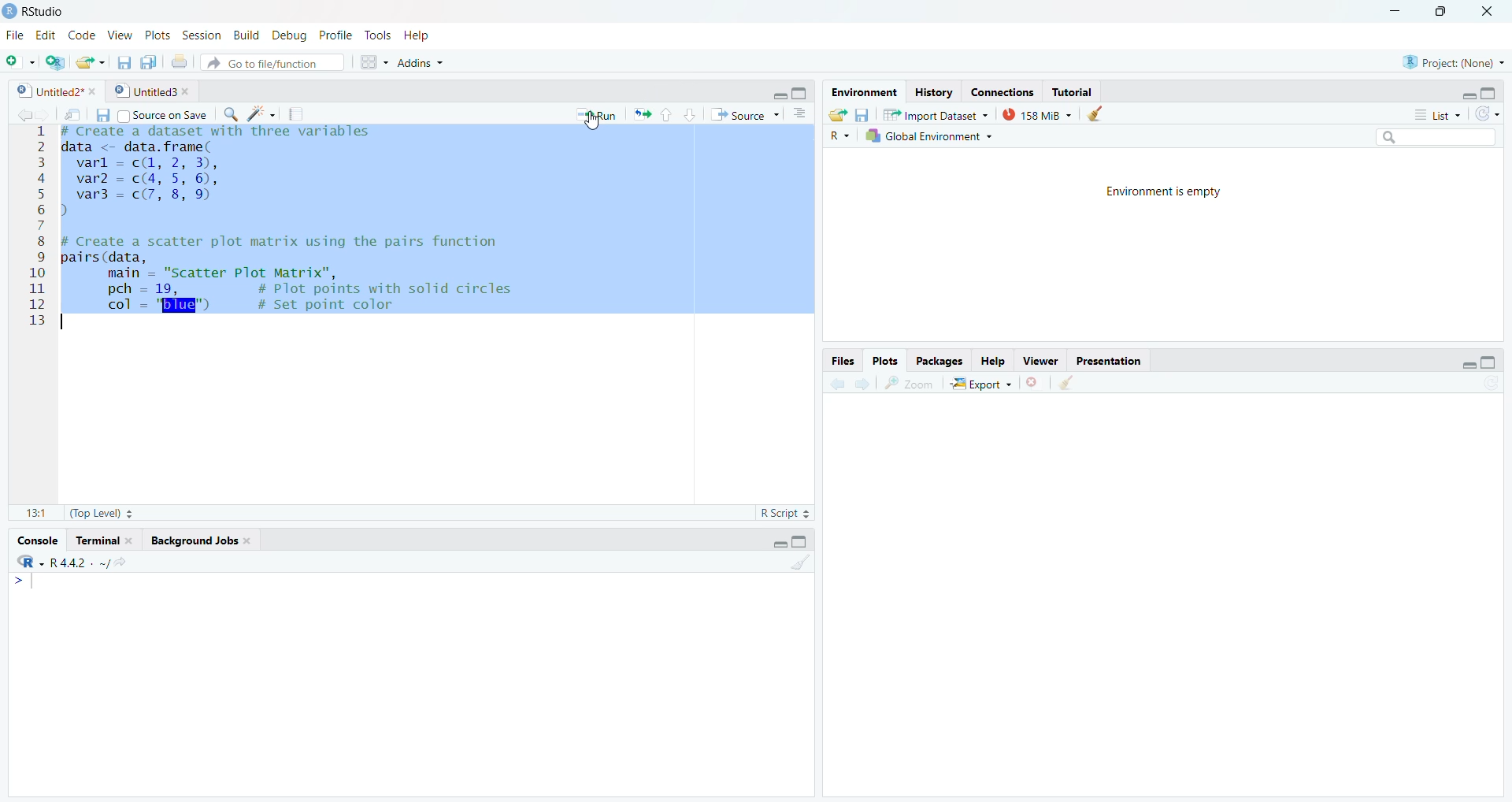 Image resolution: width=1512 pixels, height=802 pixels. Describe the element at coordinates (69, 113) in the screenshot. I see `Show in new window` at that location.